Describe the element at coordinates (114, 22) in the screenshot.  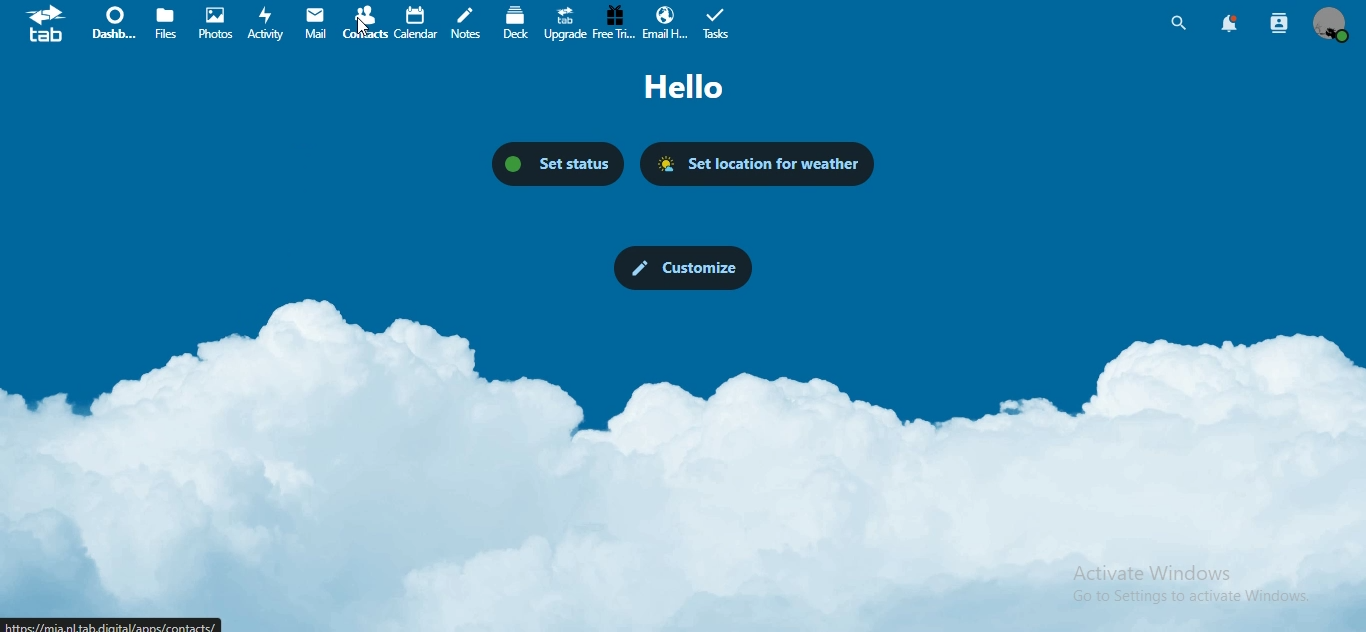
I see `dashboard` at that location.